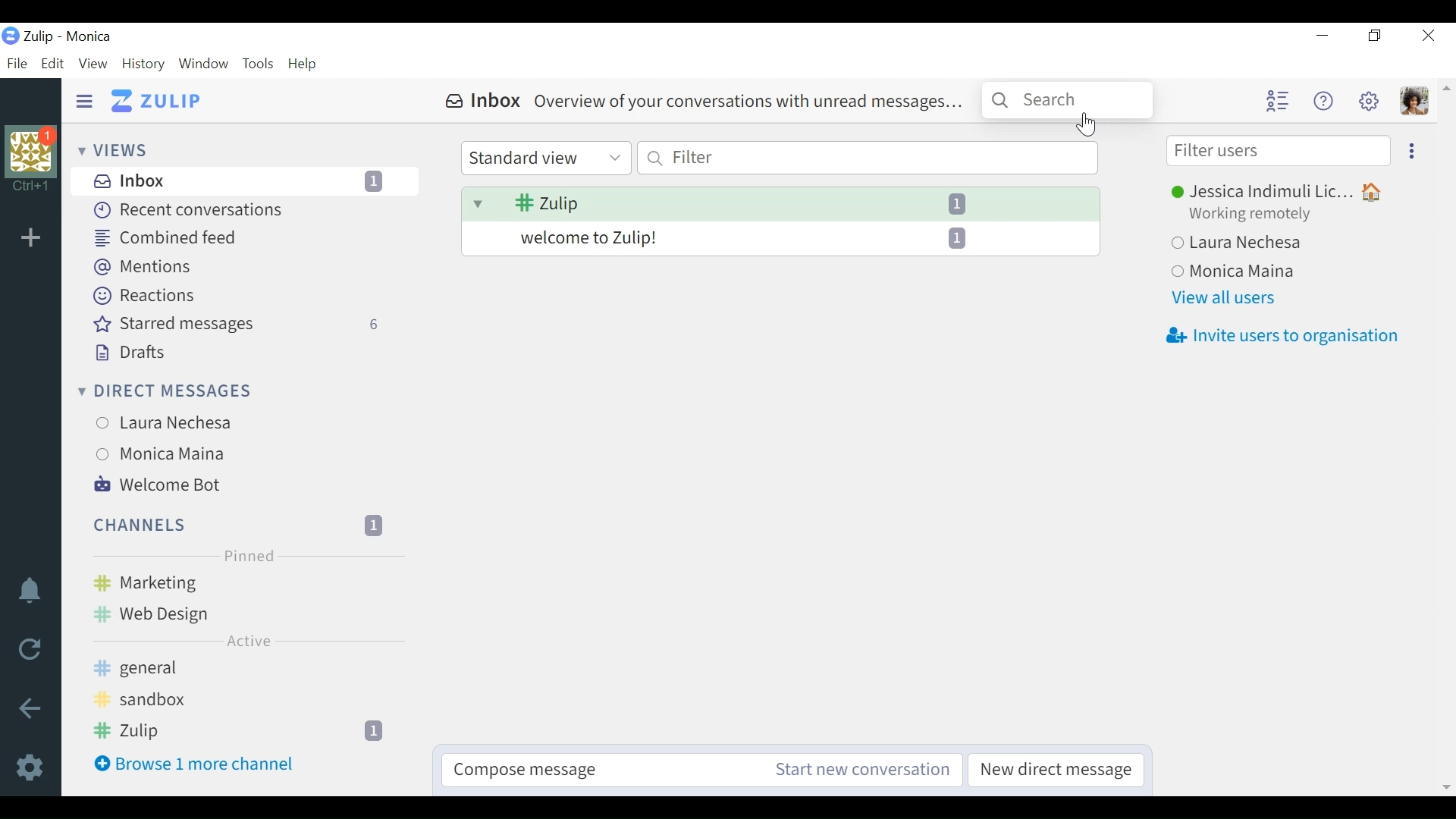 The height and width of the screenshot is (819, 1456). I want to click on general, so click(253, 665).